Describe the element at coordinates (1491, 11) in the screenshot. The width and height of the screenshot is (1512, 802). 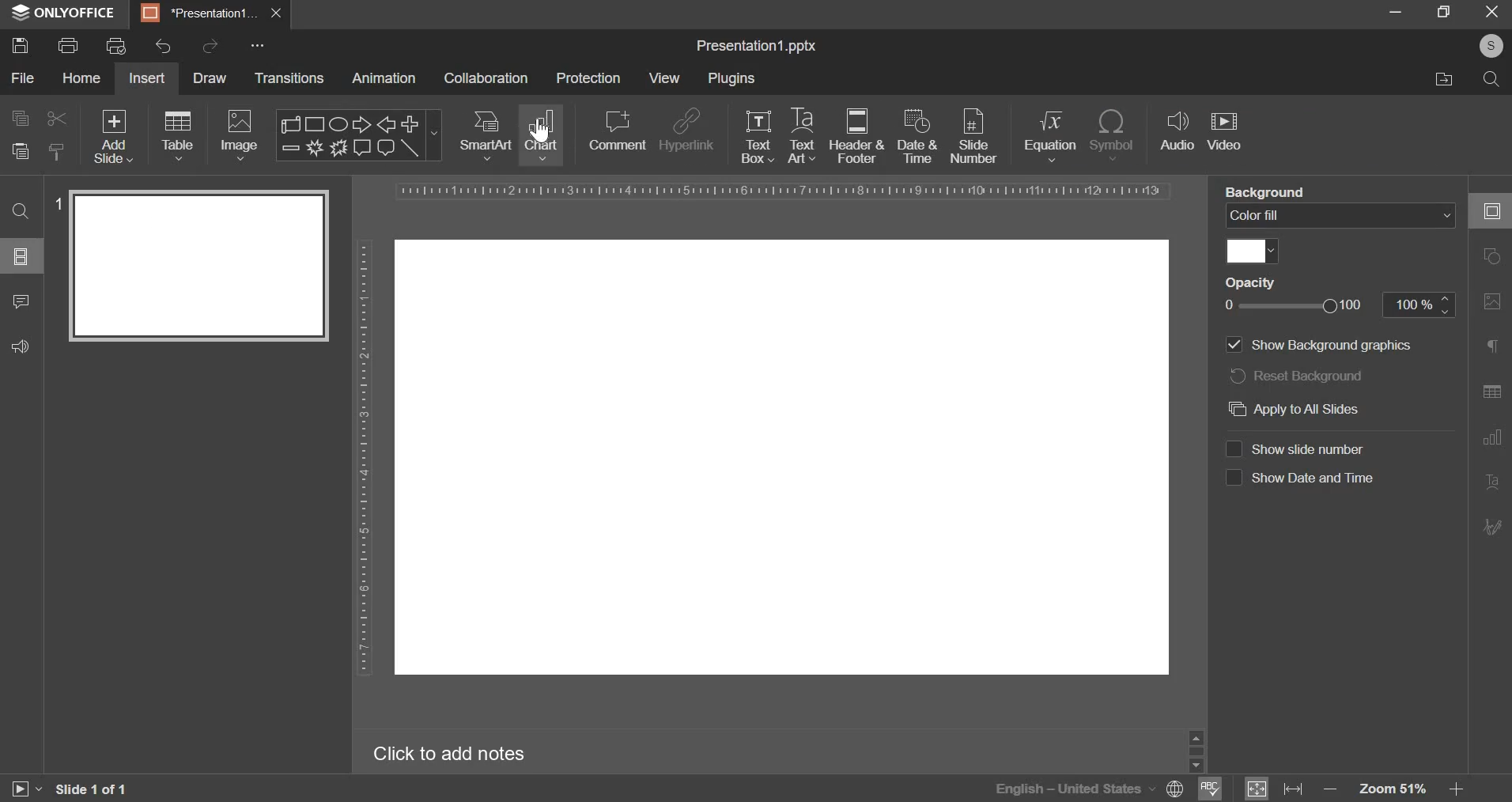
I see `exit` at that location.